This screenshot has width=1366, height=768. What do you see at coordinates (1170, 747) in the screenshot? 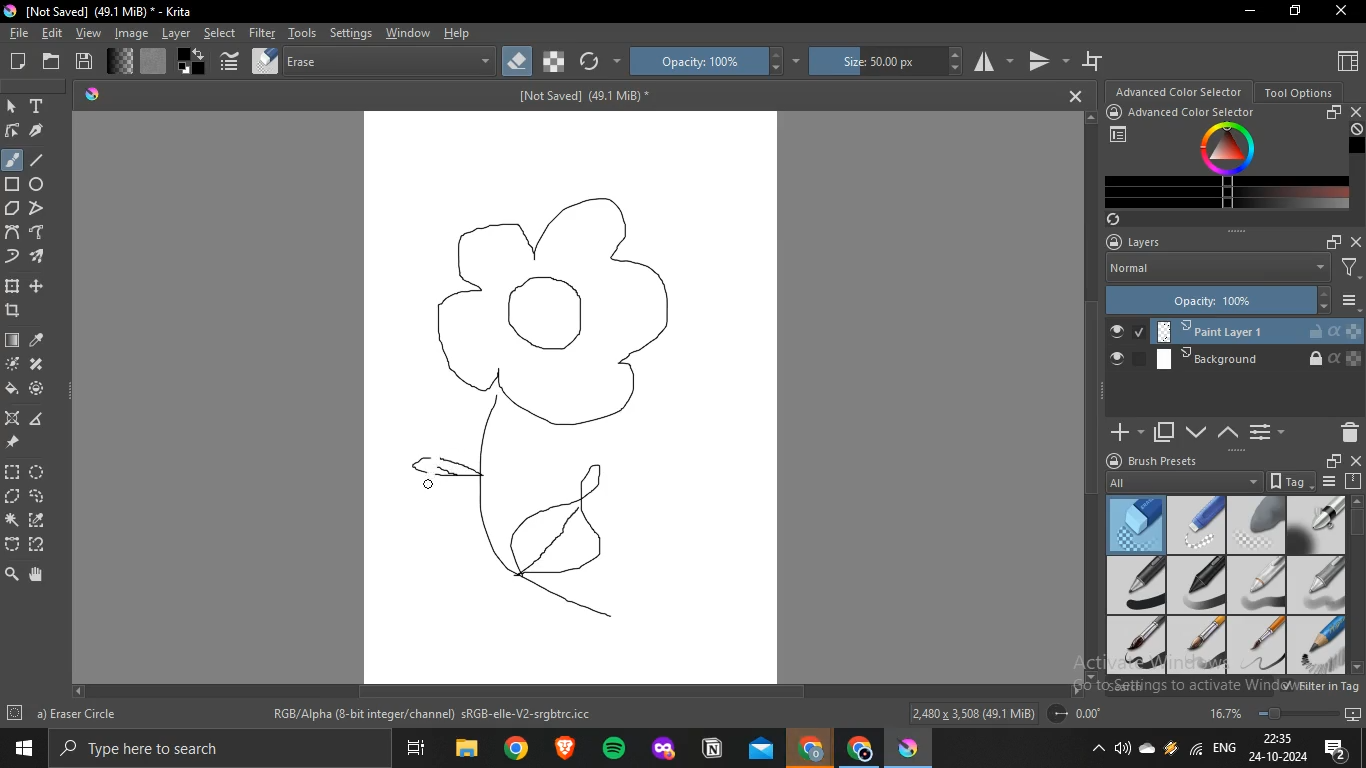
I see `Charge` at bounding box center [1170, 747].